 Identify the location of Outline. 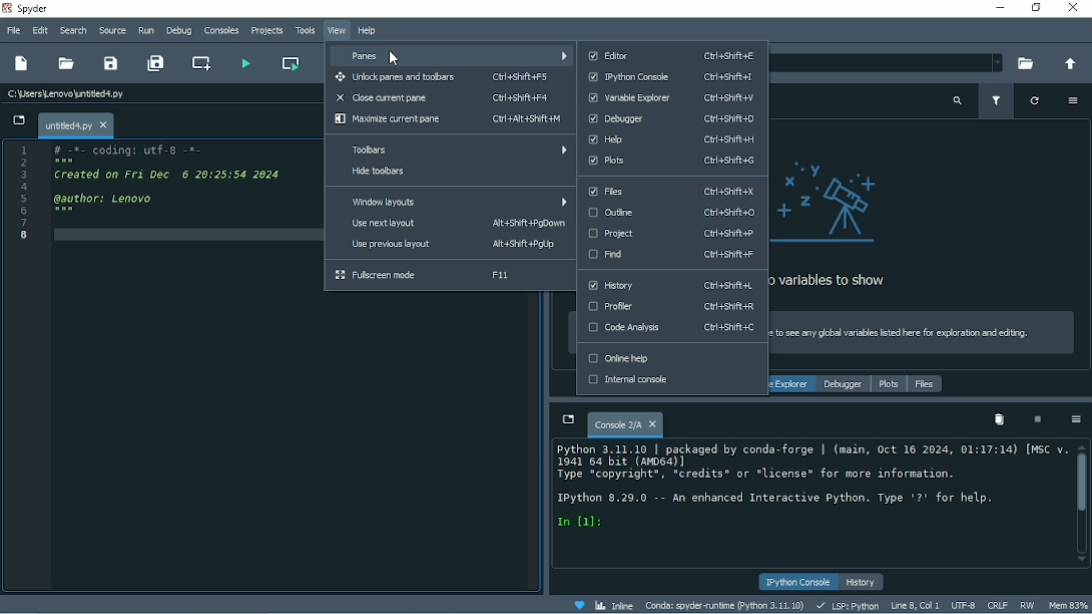
(677, 212).